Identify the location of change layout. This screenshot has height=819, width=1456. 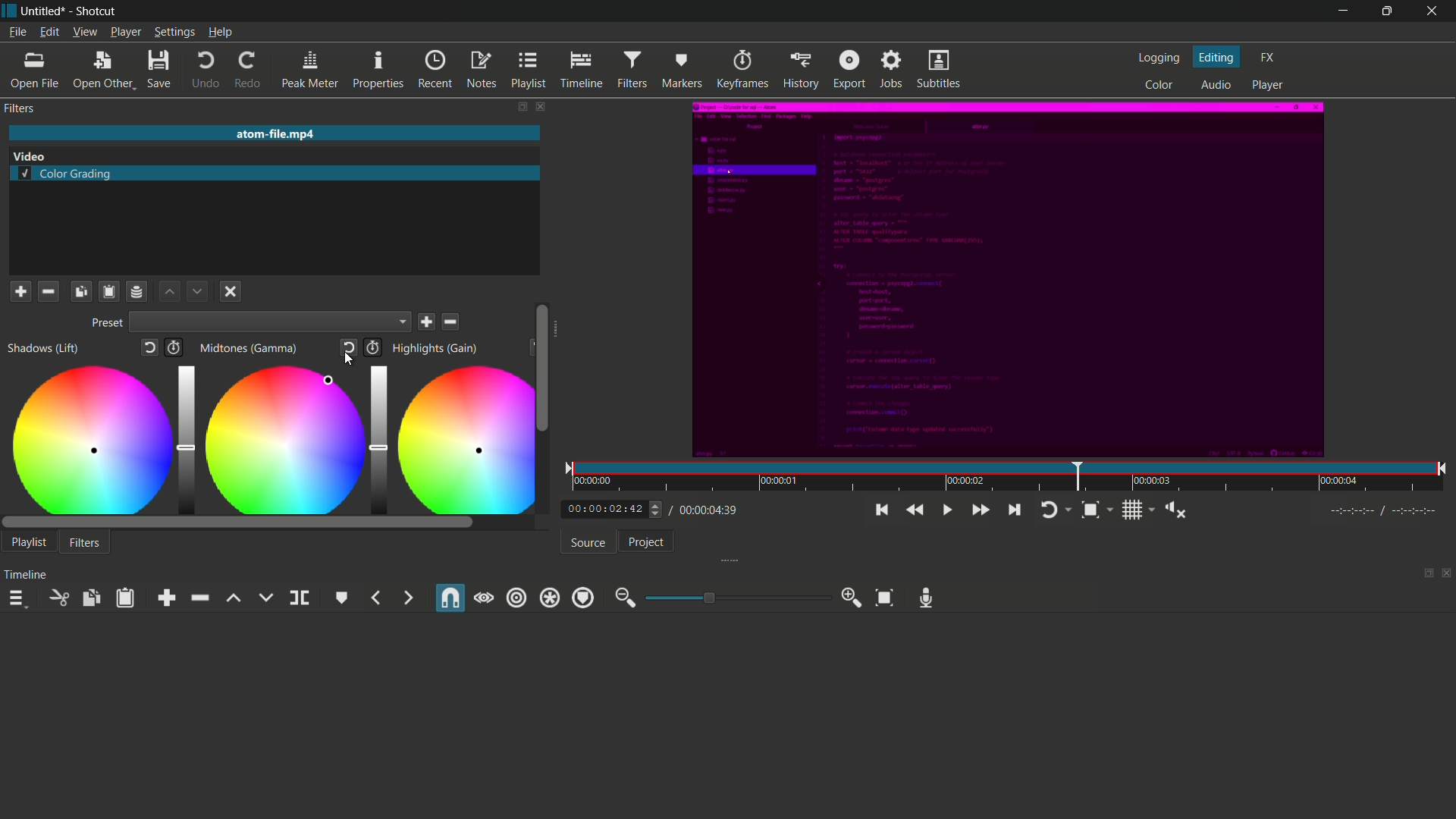
(1423, 574).